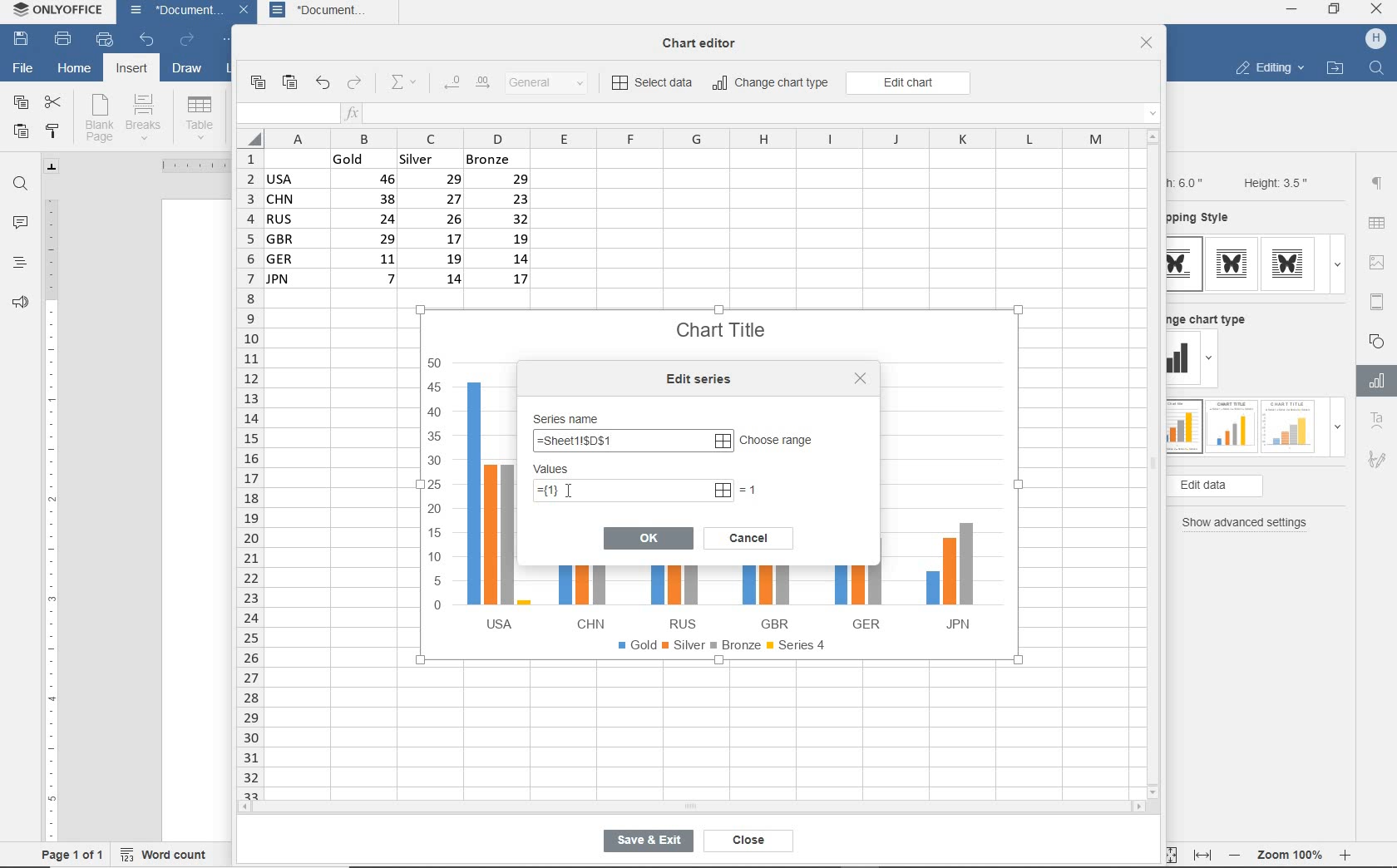 The image size is (1397, 868). What do you see at coordinates (22, 67) in the screenshot?
I see `file` at bounding box center [22, 67].